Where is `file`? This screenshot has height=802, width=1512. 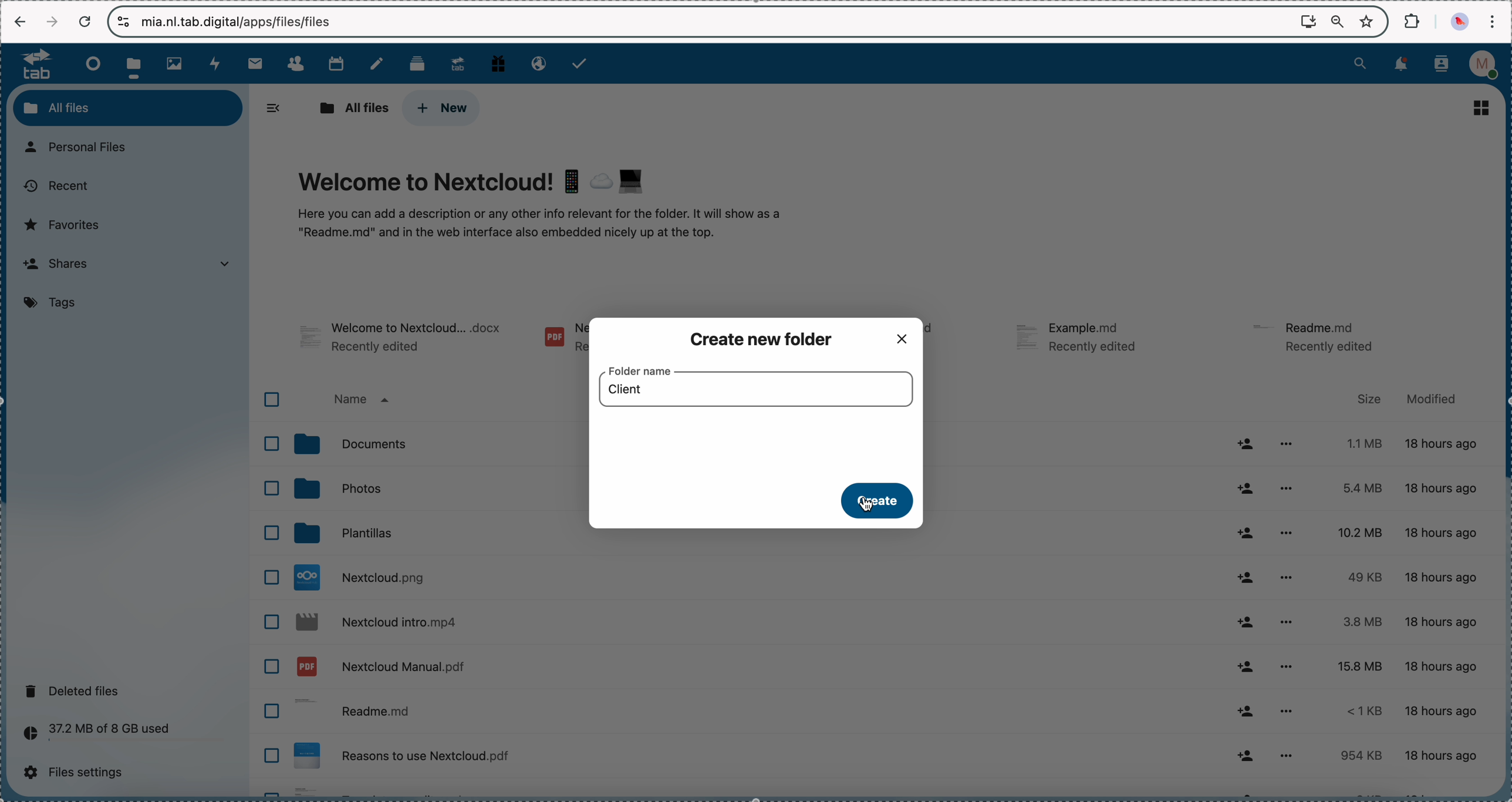 file is located at coordinates (751, 758).